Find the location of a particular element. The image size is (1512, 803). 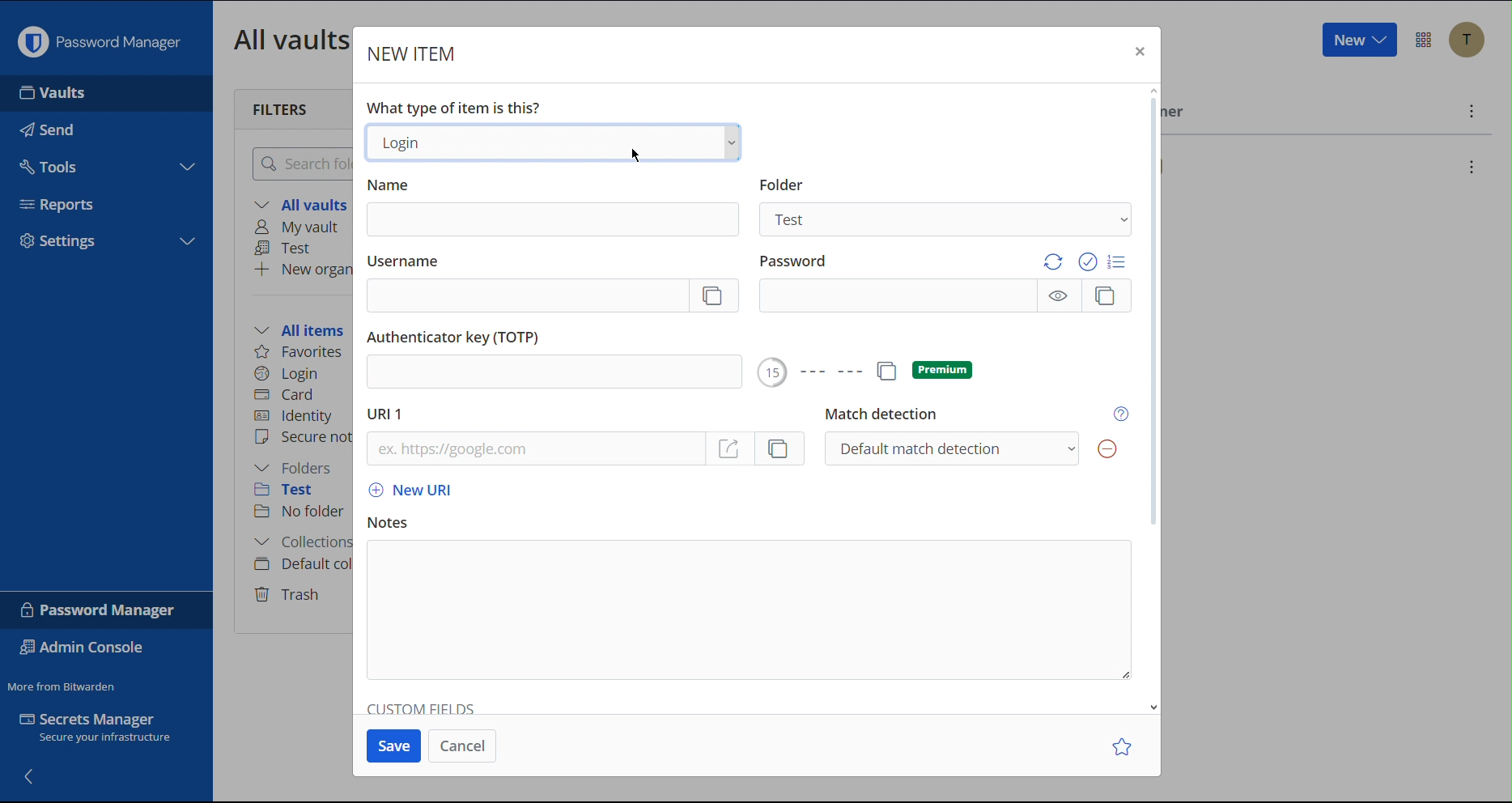

premium is located at coordinates (942, 370).